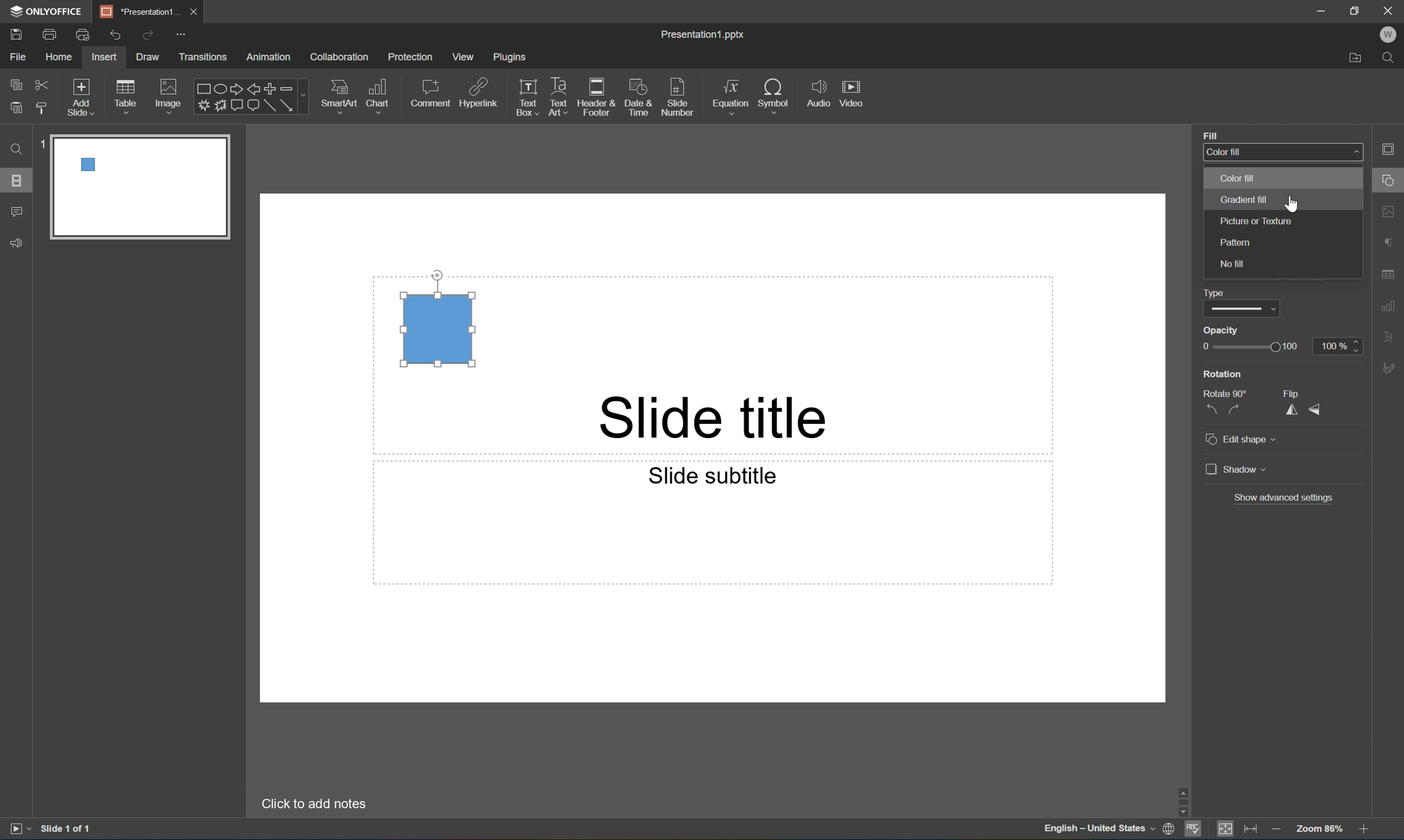  What do you see at coordinates (596, 97) in the screenshot?
I see `Header & Footer` at bounding box center [596, 97].